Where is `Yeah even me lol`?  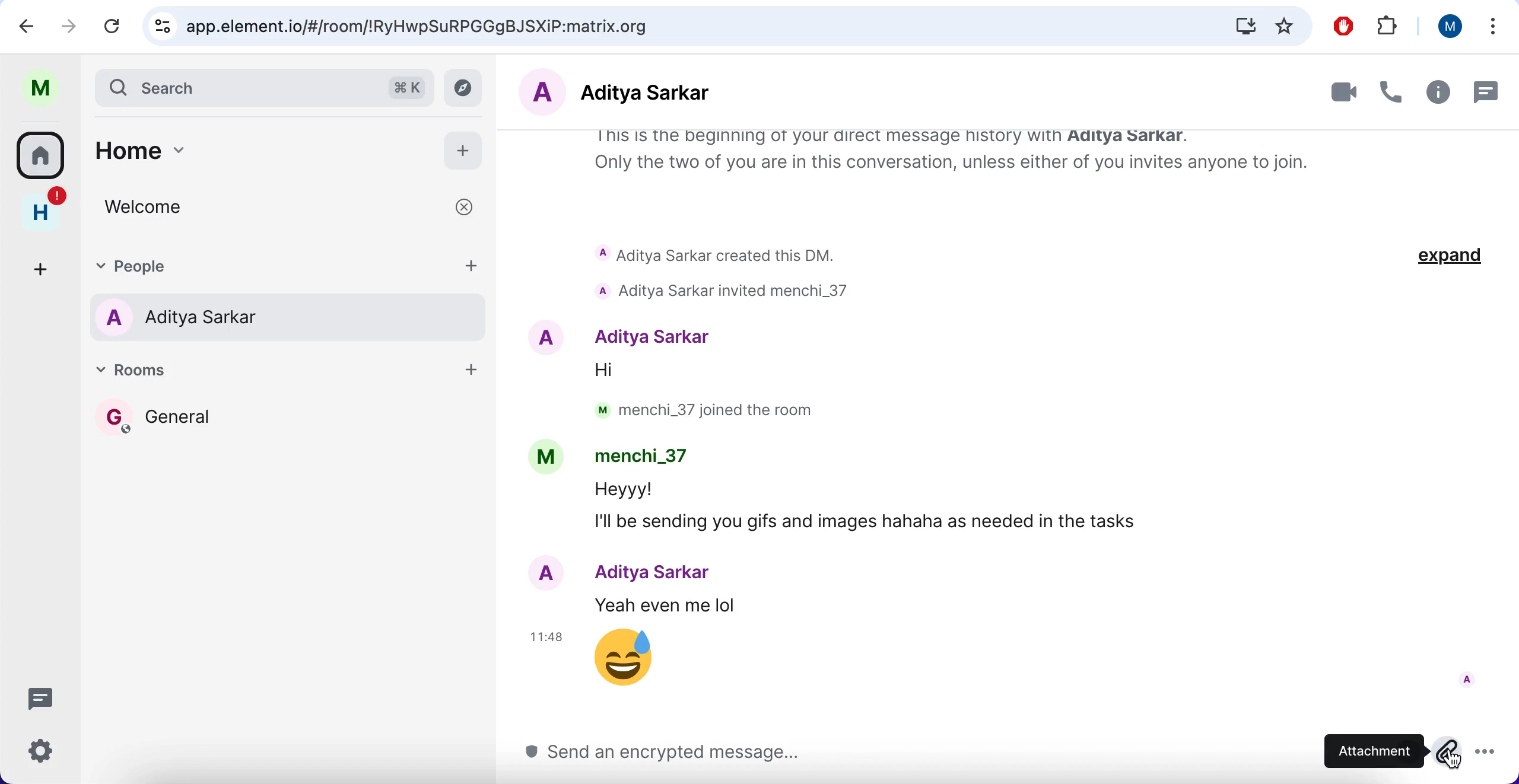 Yeah even me lol is located at coordinates (662, 603).